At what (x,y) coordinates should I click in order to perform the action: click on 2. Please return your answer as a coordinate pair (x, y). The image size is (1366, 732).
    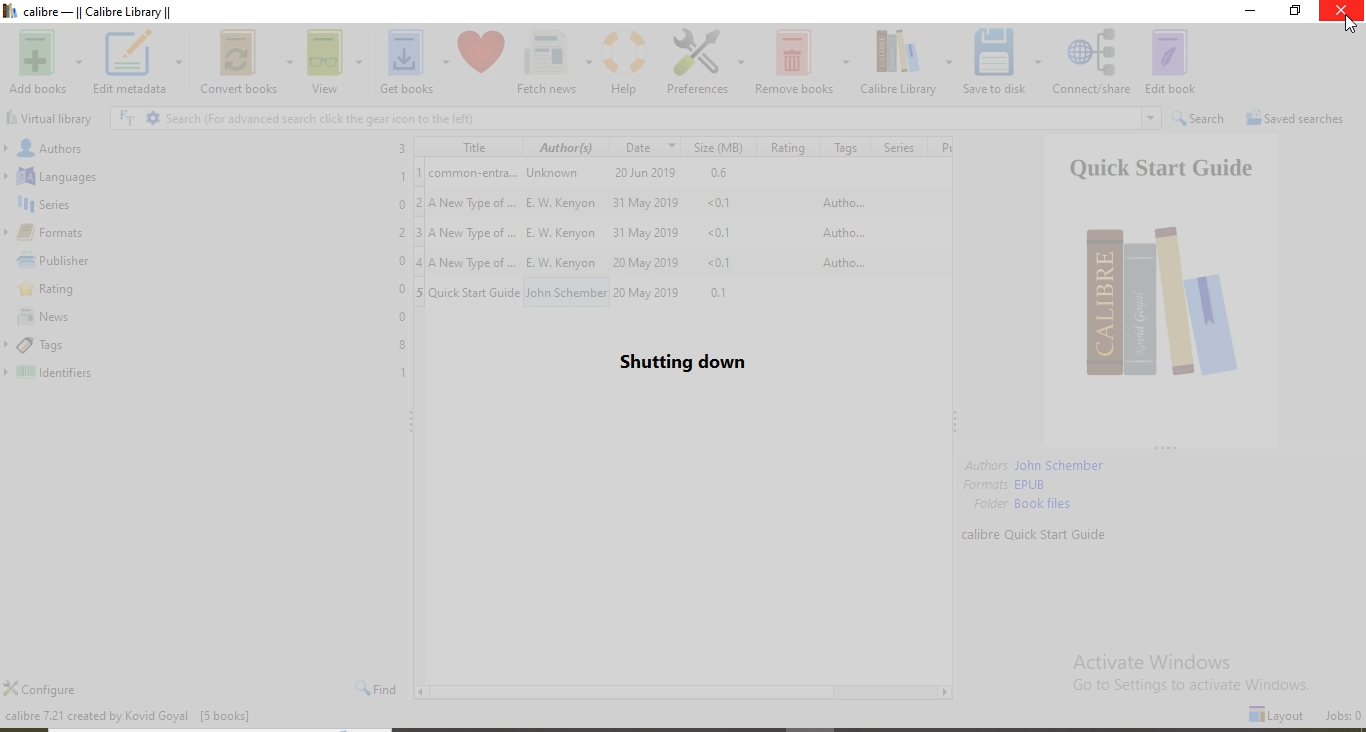
    Looking at the image, I should click on (418, 200).